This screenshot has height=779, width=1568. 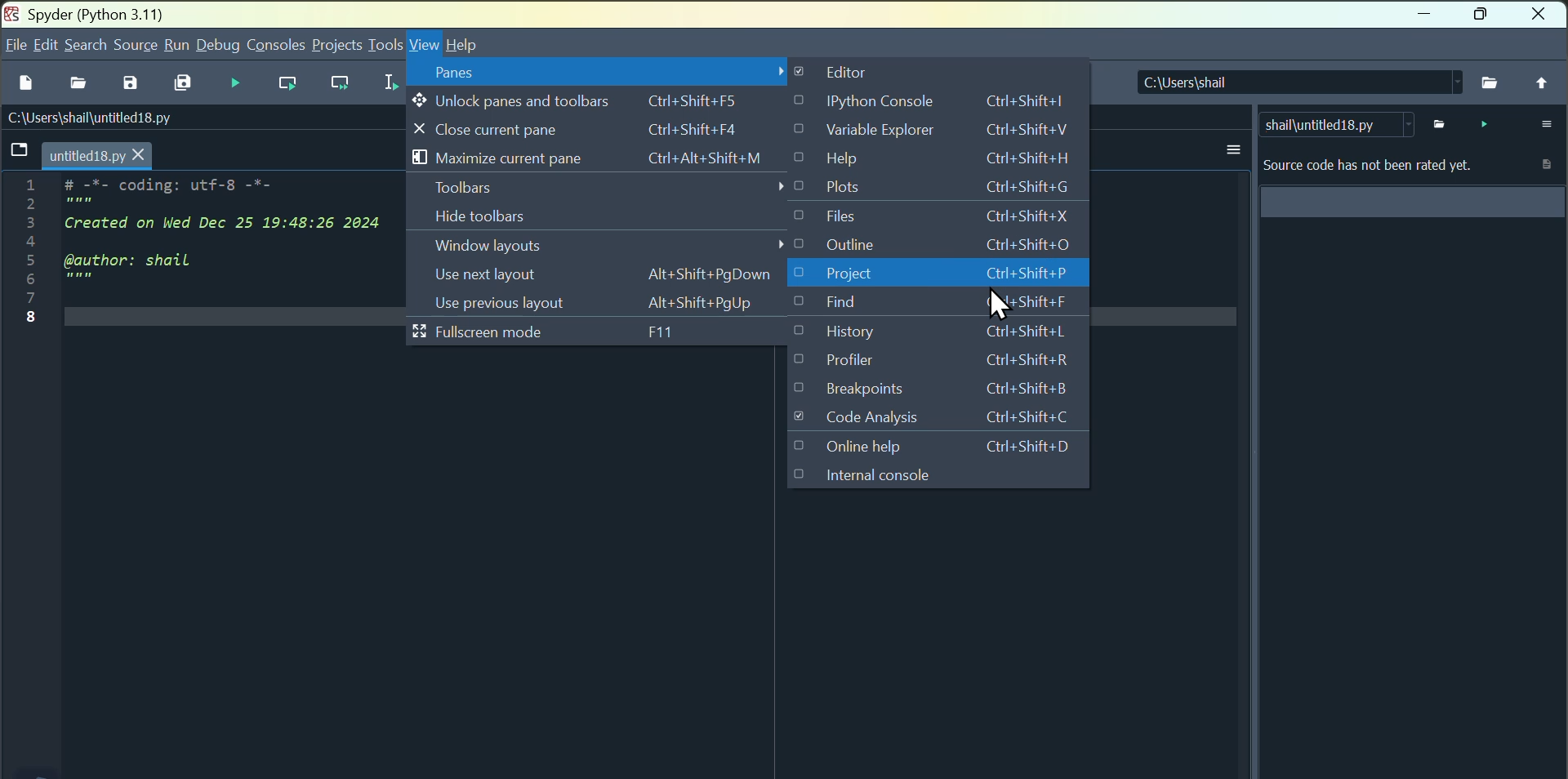 I want to click on Code Analyzer section , so click(x=1409, y=215).